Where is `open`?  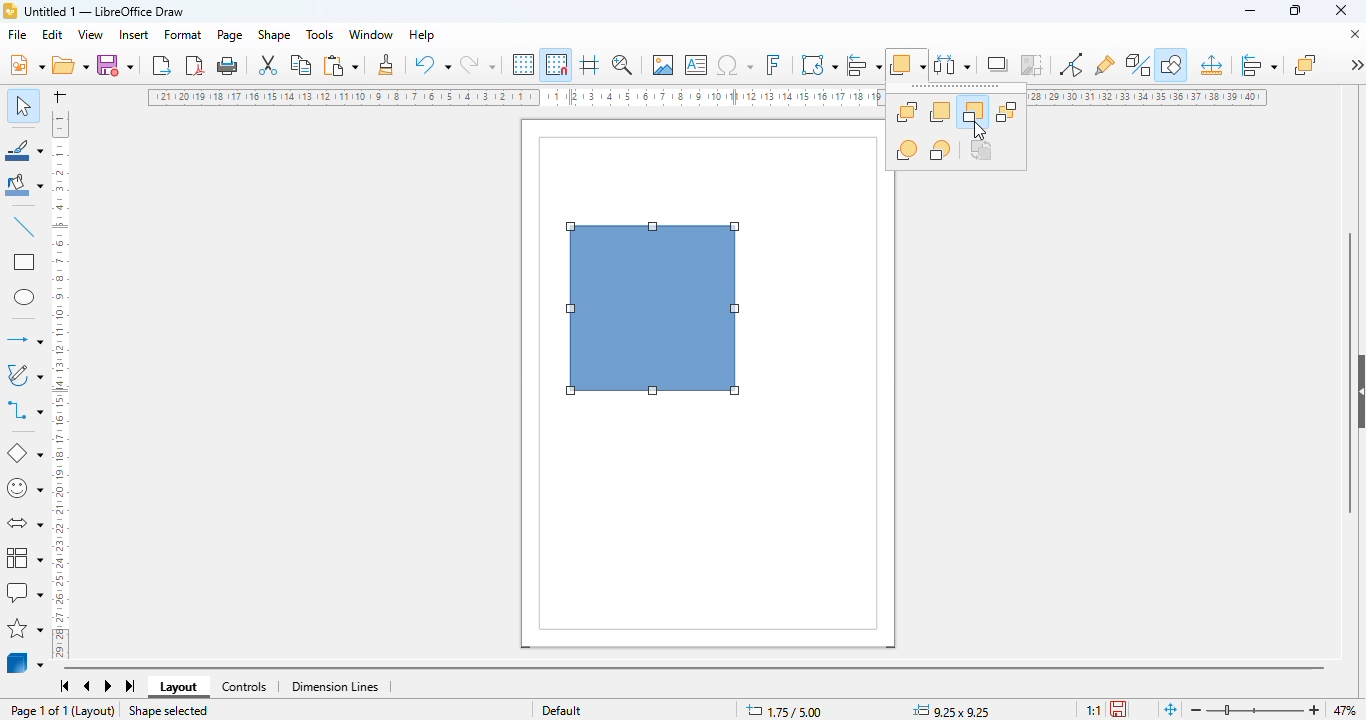
open is located at coordinates (69, 65).